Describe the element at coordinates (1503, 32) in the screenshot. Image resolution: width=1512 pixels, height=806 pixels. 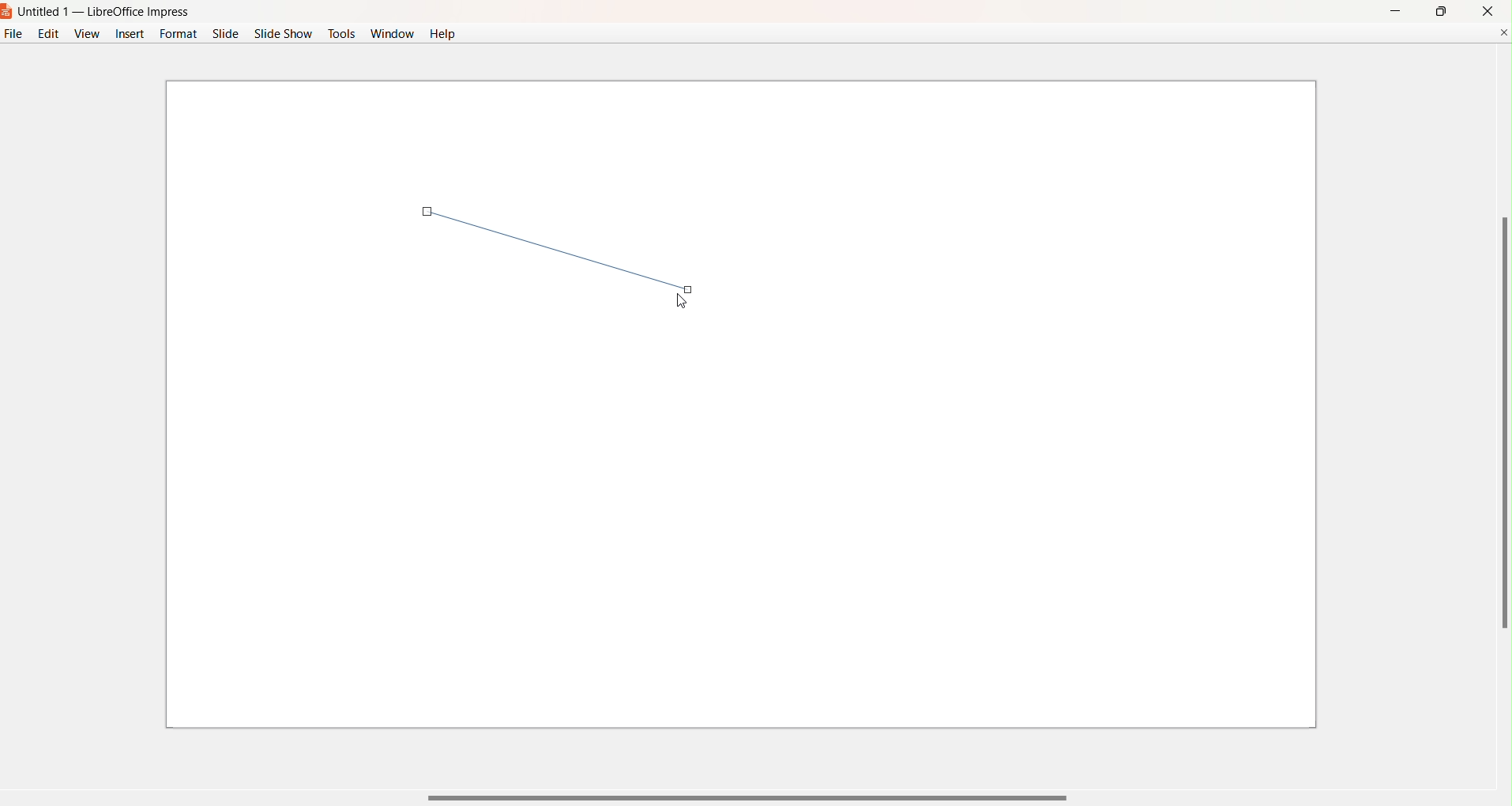
I see `Close Document` at that location.